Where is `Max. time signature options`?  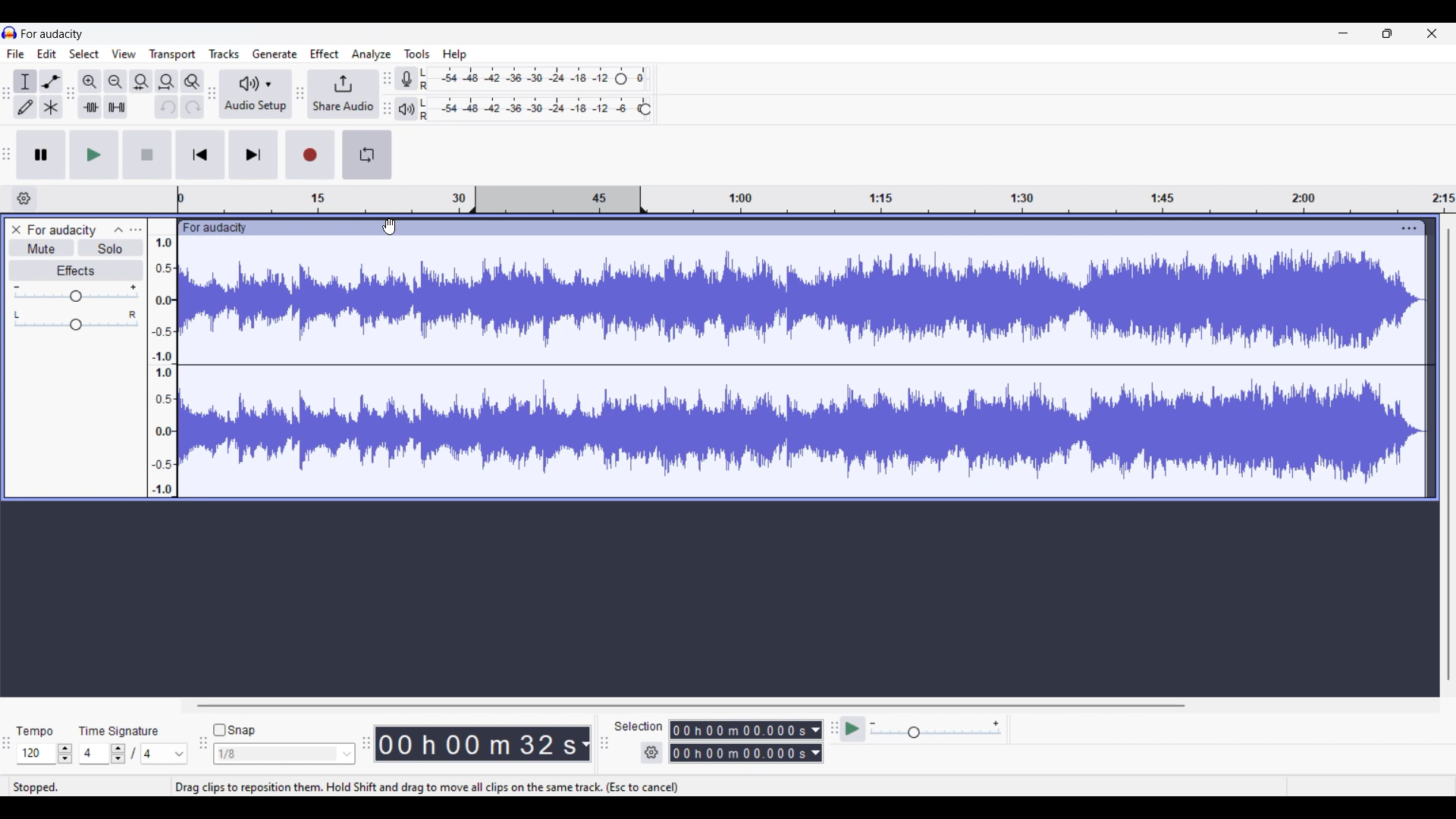 Max. time signature options is located at coordinates (165, 754).